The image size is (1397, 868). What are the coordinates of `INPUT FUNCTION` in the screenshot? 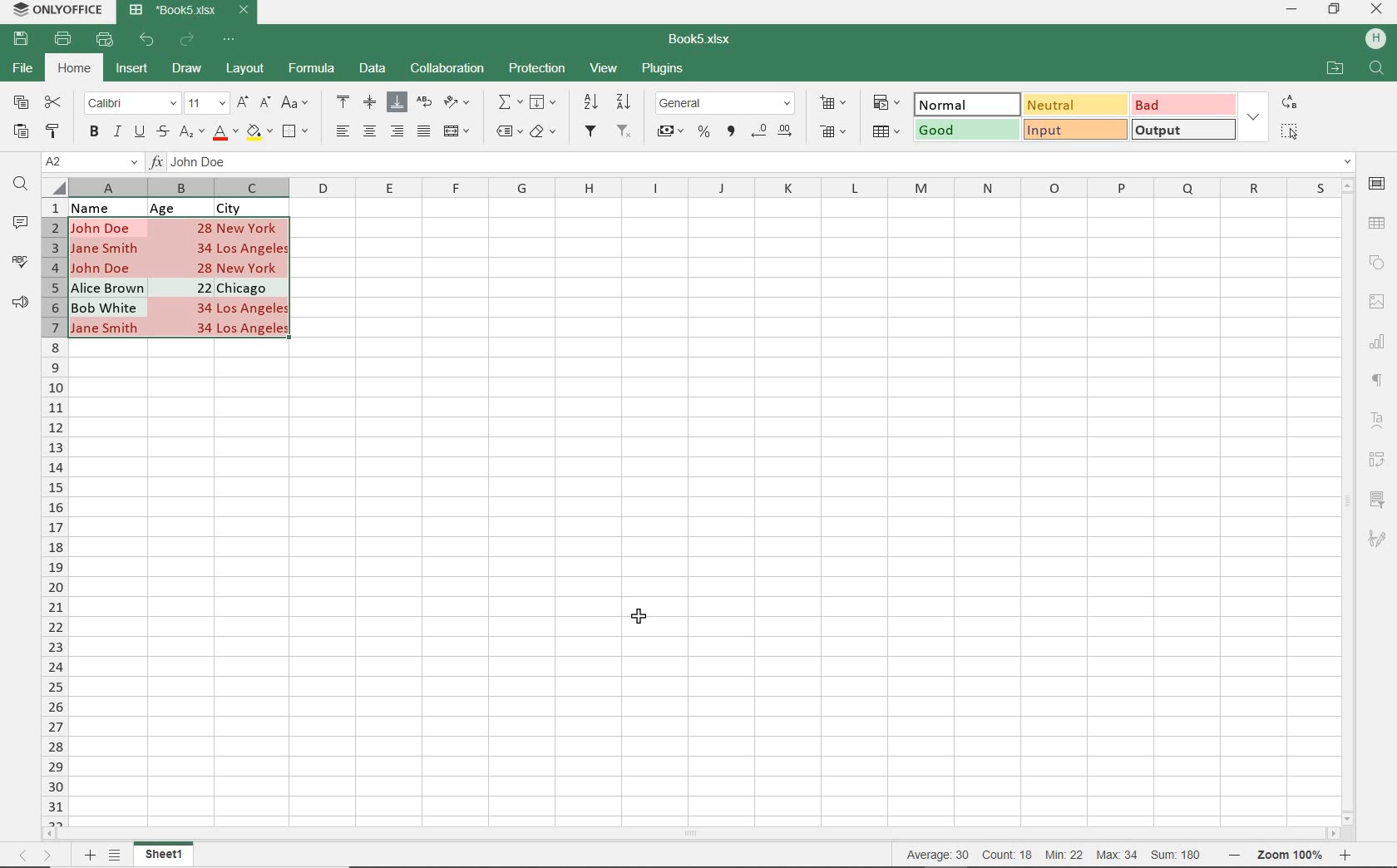 It's located at (752, 162).